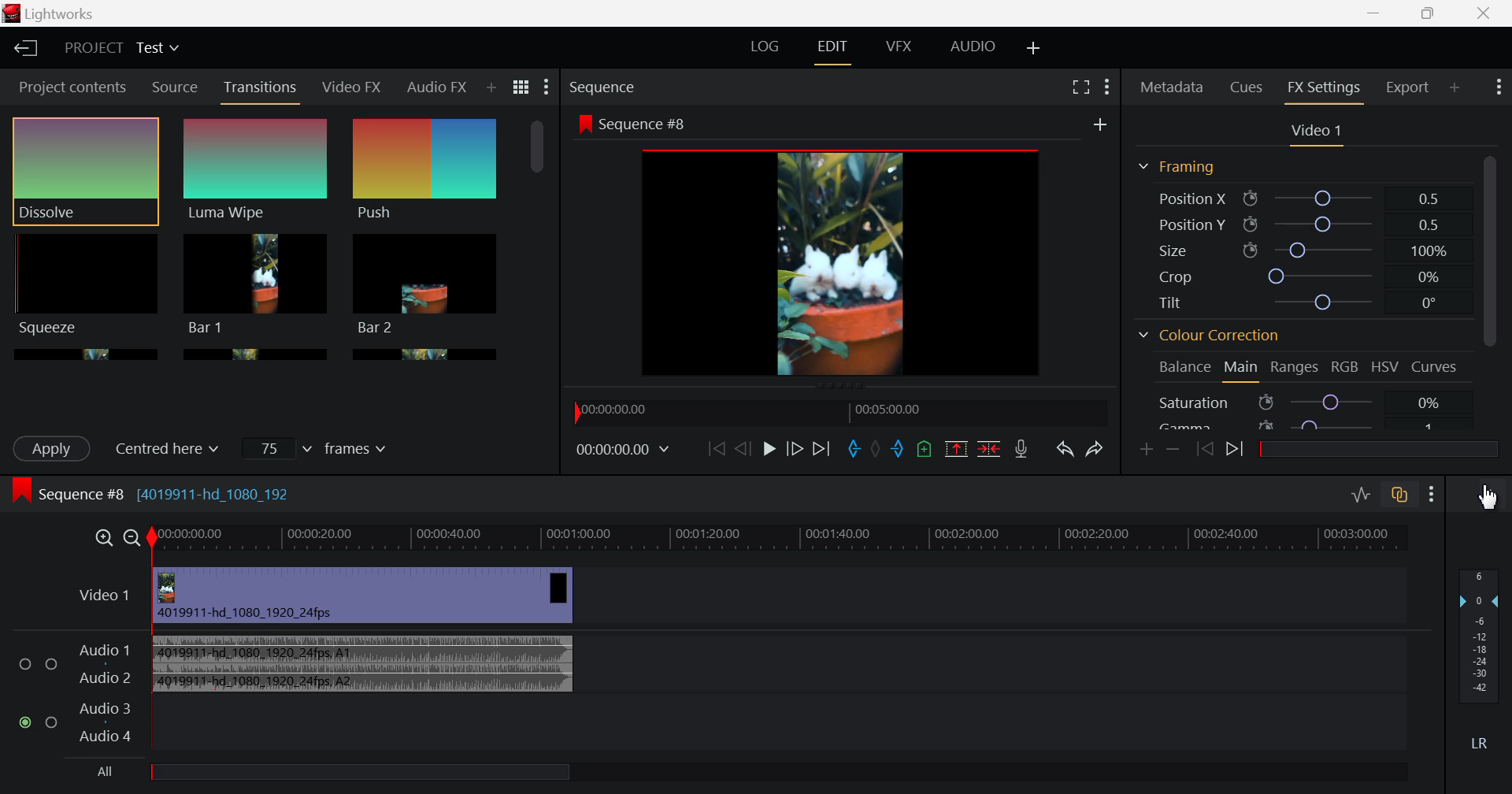 The height and width of the screenshot is (794, 1512). What do you see at coordinates (1317, 135) in the screenshot?
I see `Video Settings` at bounding box center [1317, 135].